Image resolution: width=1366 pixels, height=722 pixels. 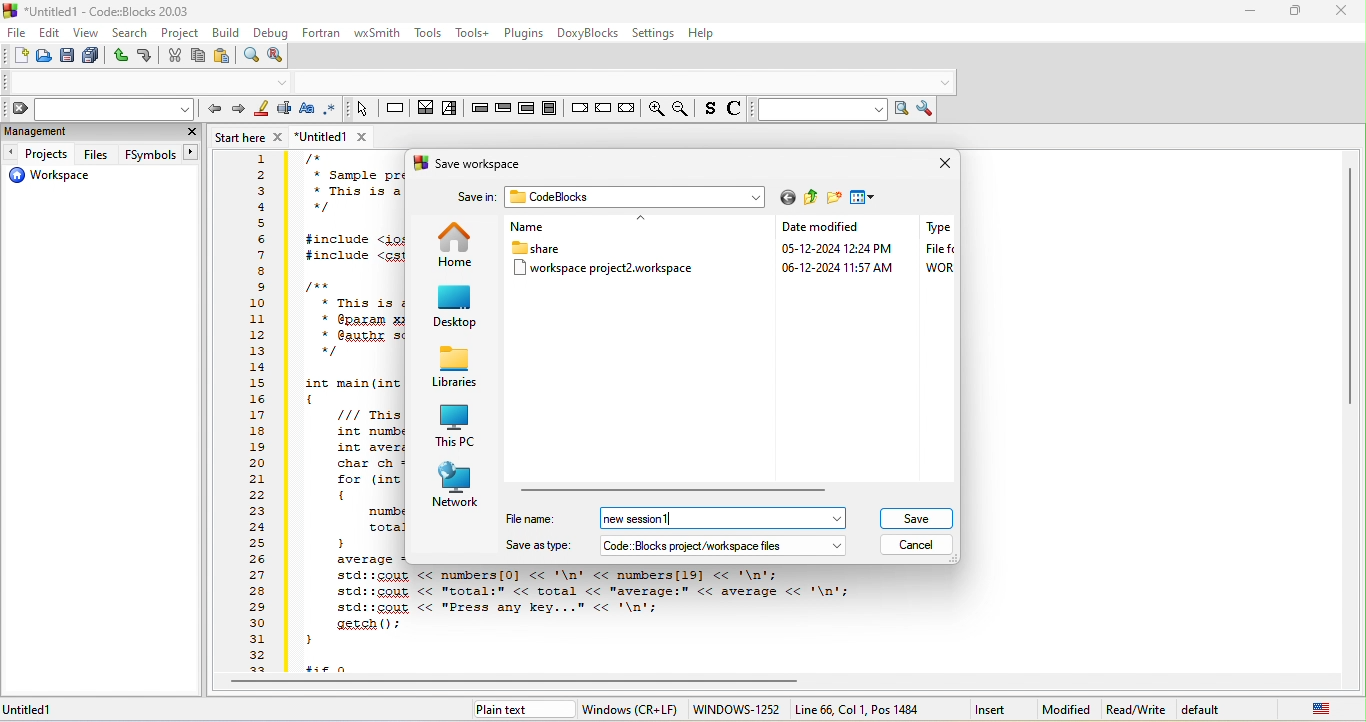 I want to click on files, so click(x=97, y=153).